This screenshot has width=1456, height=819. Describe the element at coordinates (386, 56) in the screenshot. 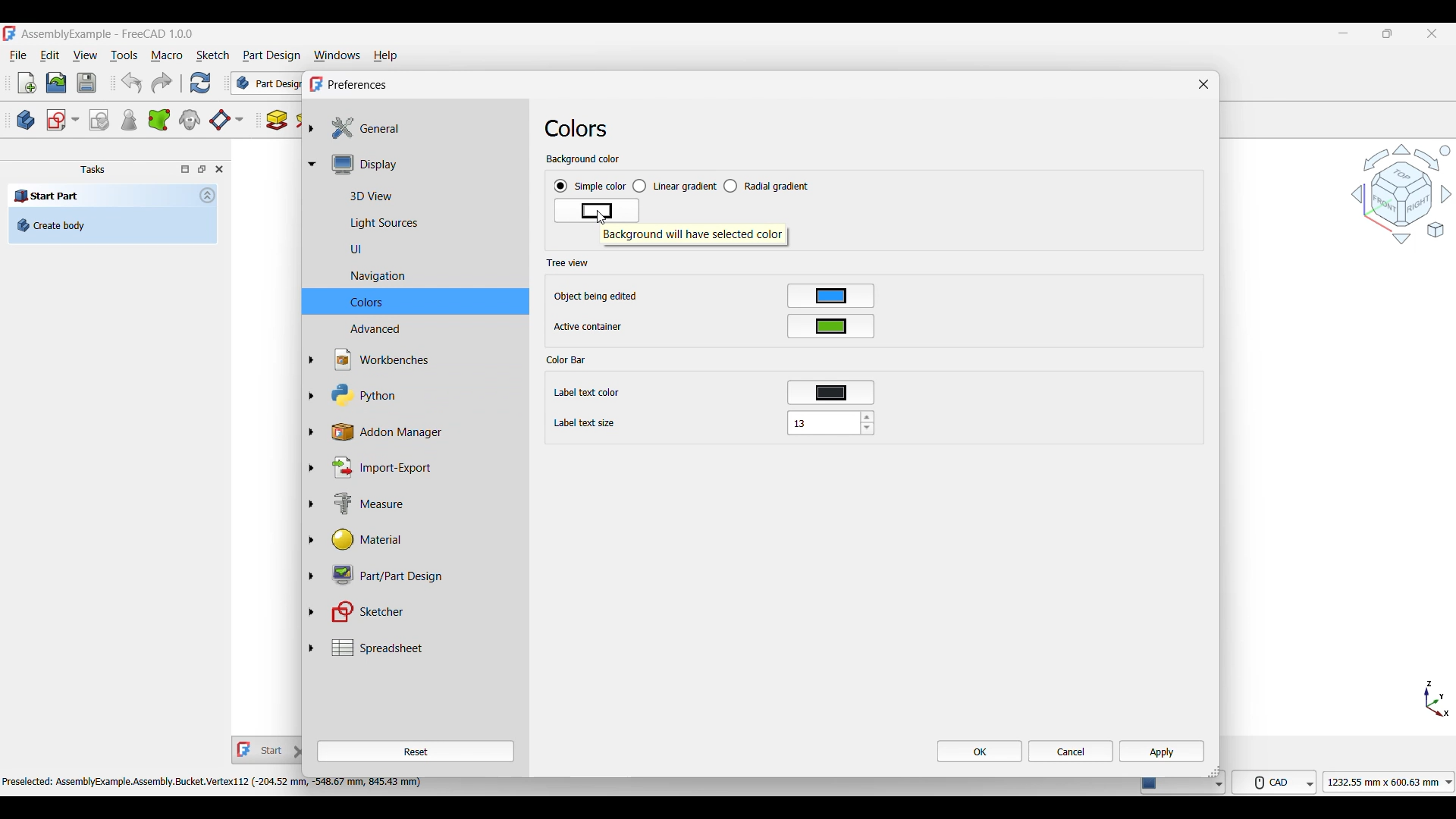

I see `Help menu` at that location.